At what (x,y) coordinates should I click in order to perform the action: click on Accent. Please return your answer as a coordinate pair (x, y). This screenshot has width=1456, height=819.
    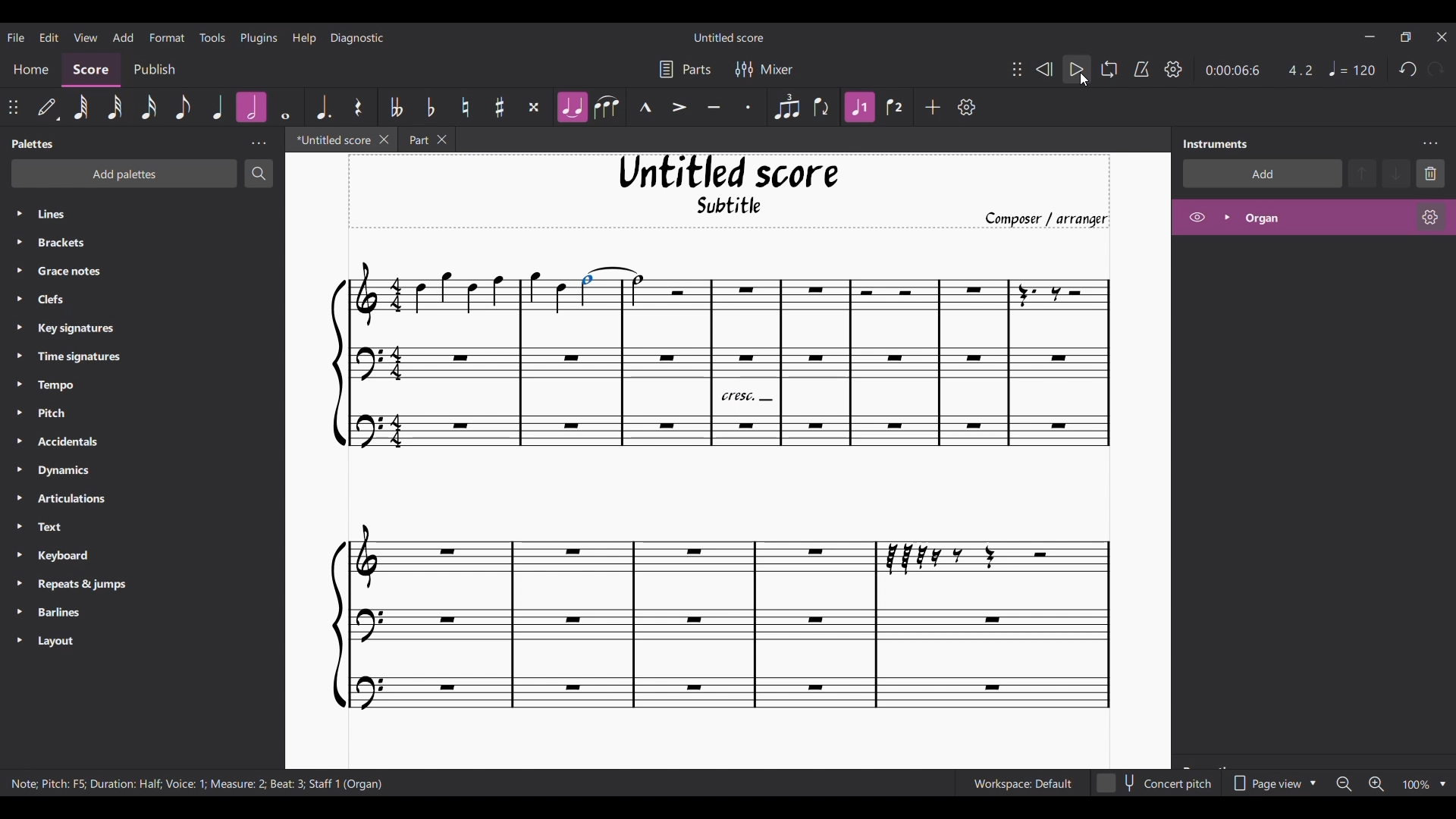
    Looking at the image, I should click on (679, 108).